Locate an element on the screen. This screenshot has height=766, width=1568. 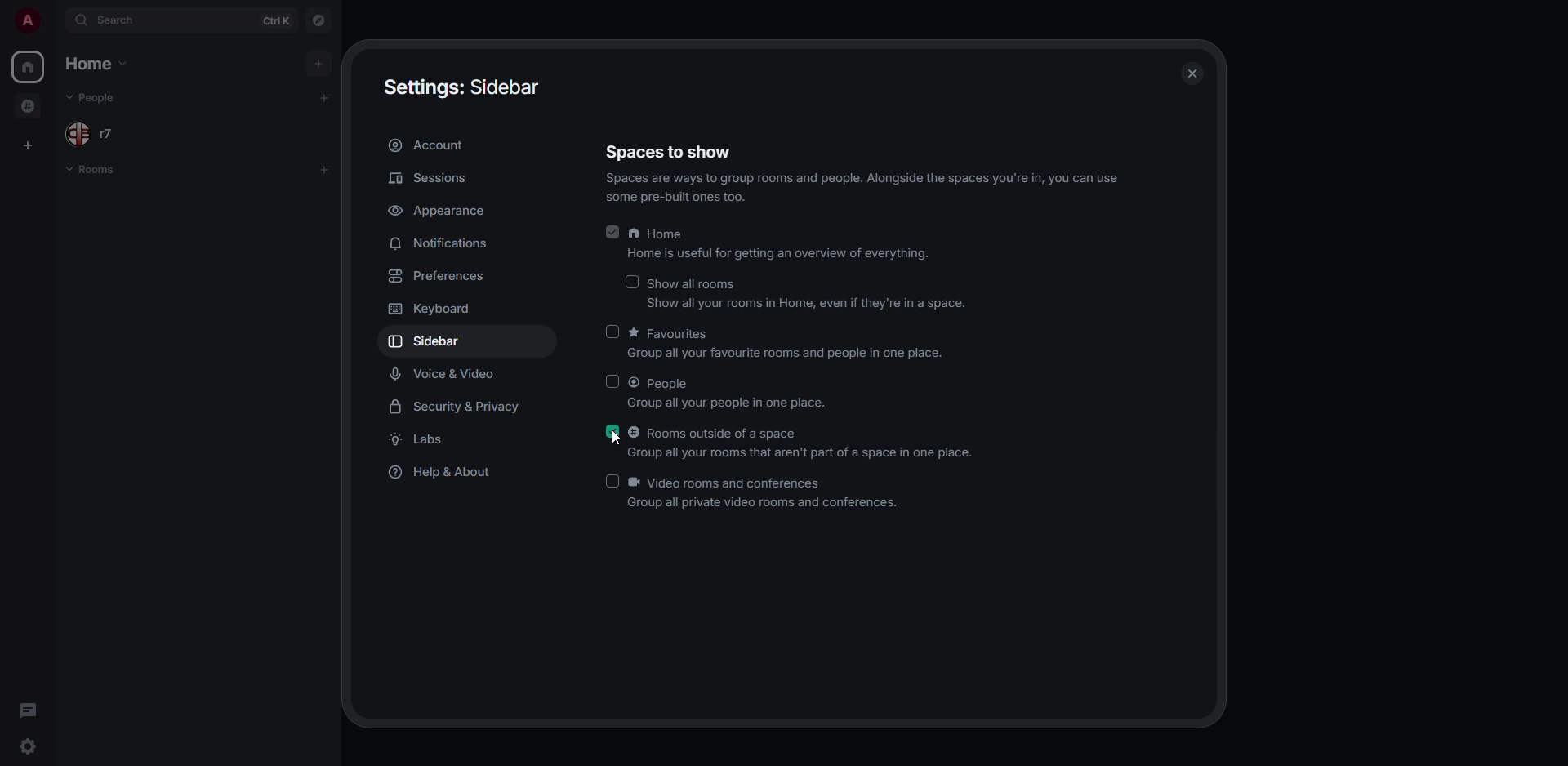
ctrl K is located at coordinates (278, 20).